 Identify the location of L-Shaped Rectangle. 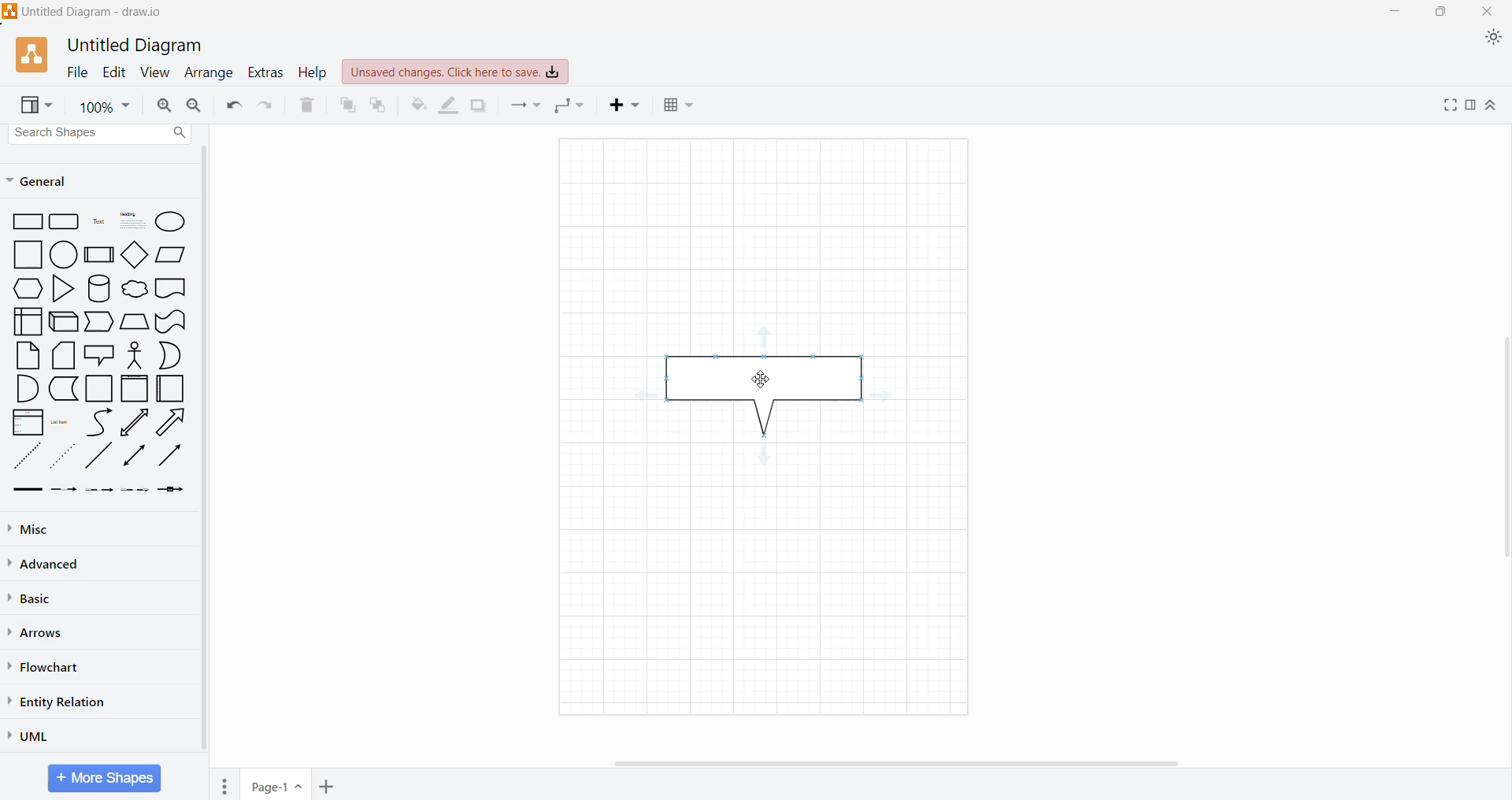
(62, 389).